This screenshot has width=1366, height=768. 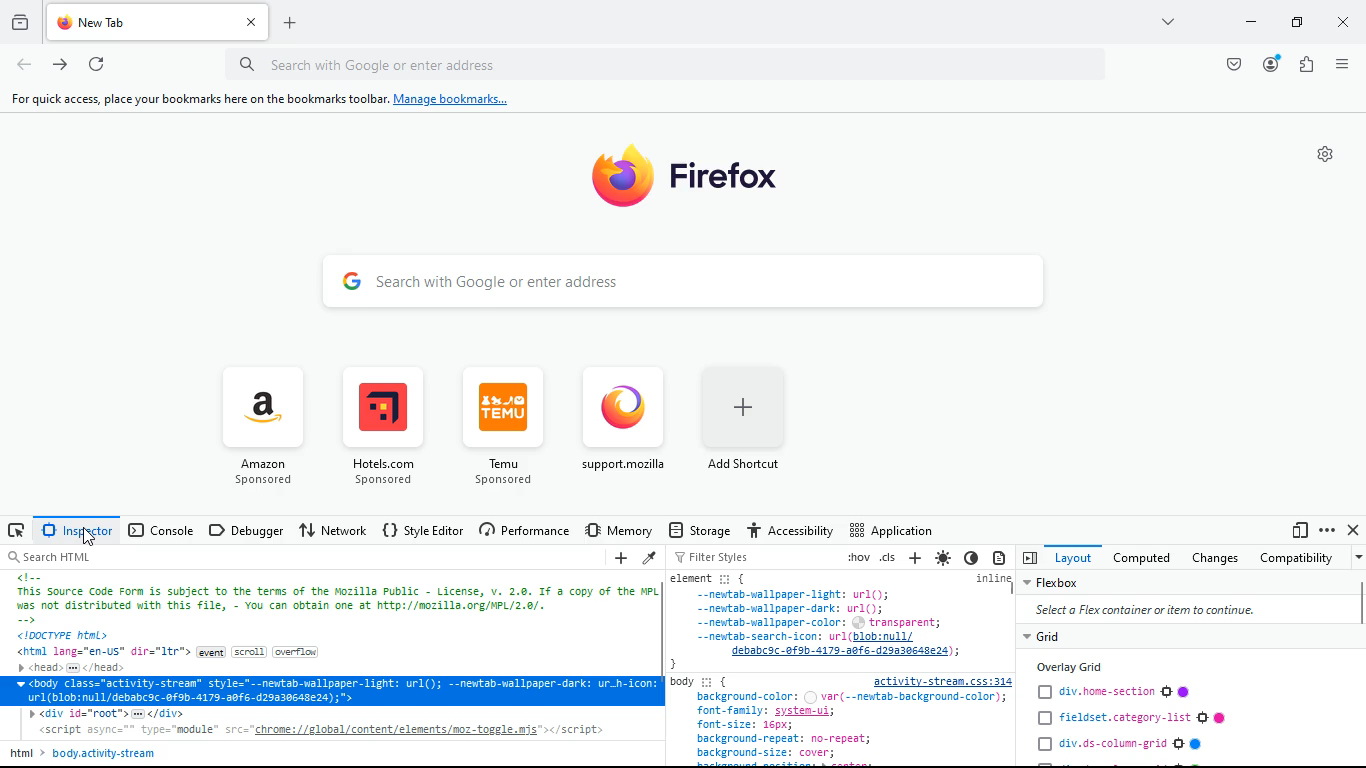 What do you see at coordinates (1355, 530) in the screenshot?
I see `close` at bounding box center [1355, 530].